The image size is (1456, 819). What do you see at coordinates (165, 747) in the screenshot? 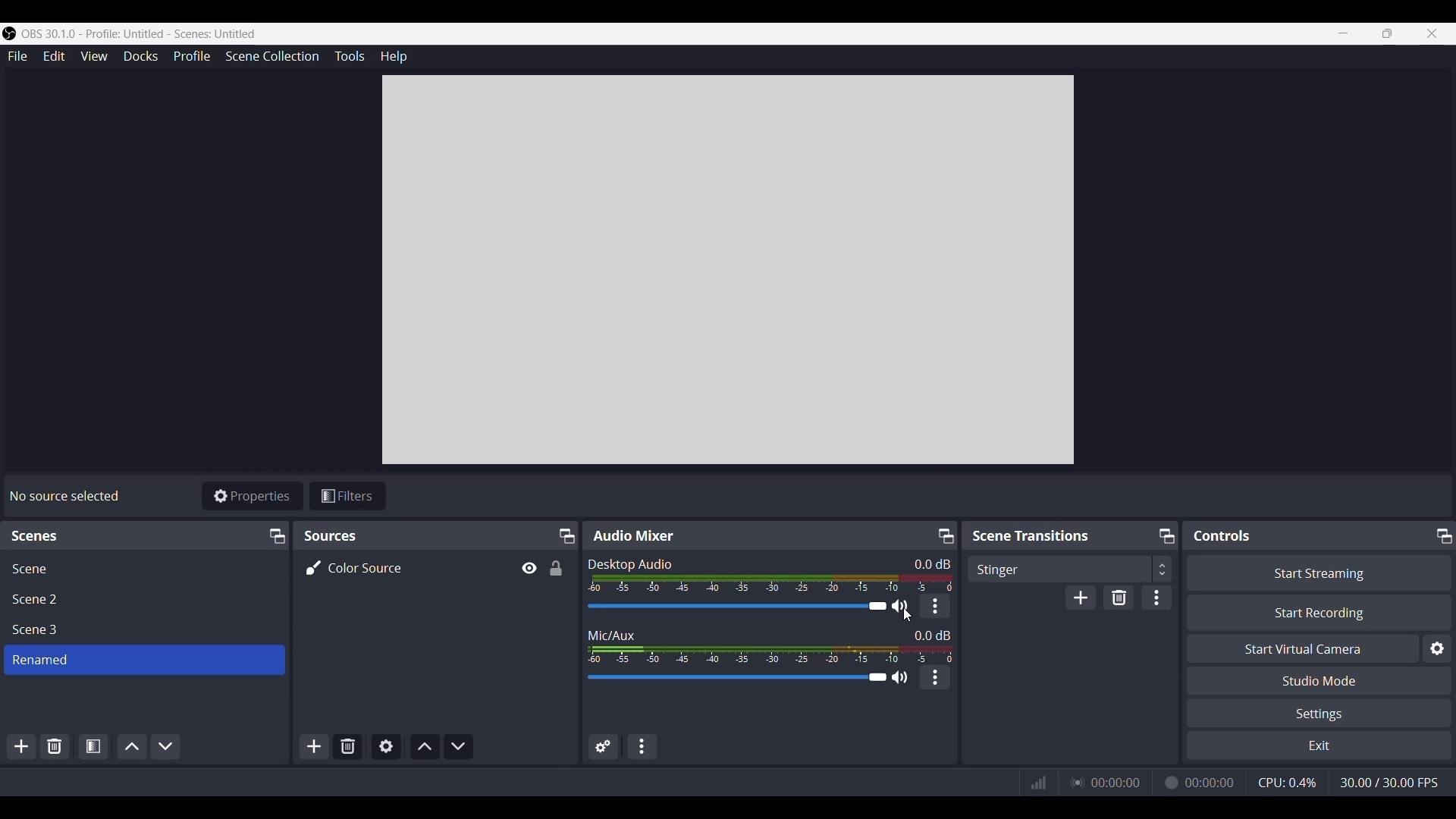
I see `Move scene one step down` at bounding box center [165, 747].